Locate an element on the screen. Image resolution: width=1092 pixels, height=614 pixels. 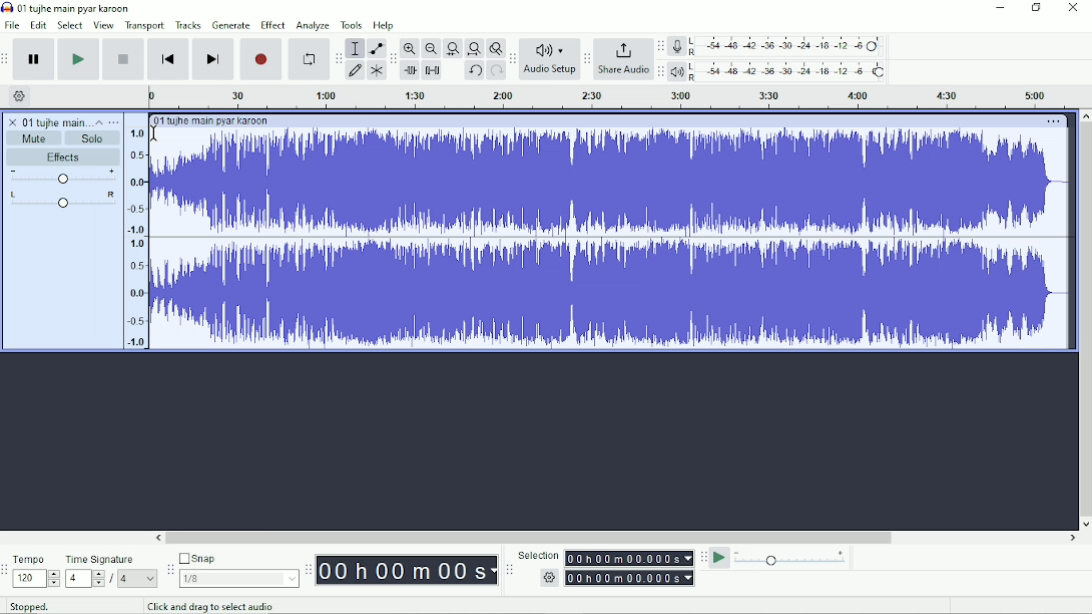
Audio is located at coordinates (612, 238).